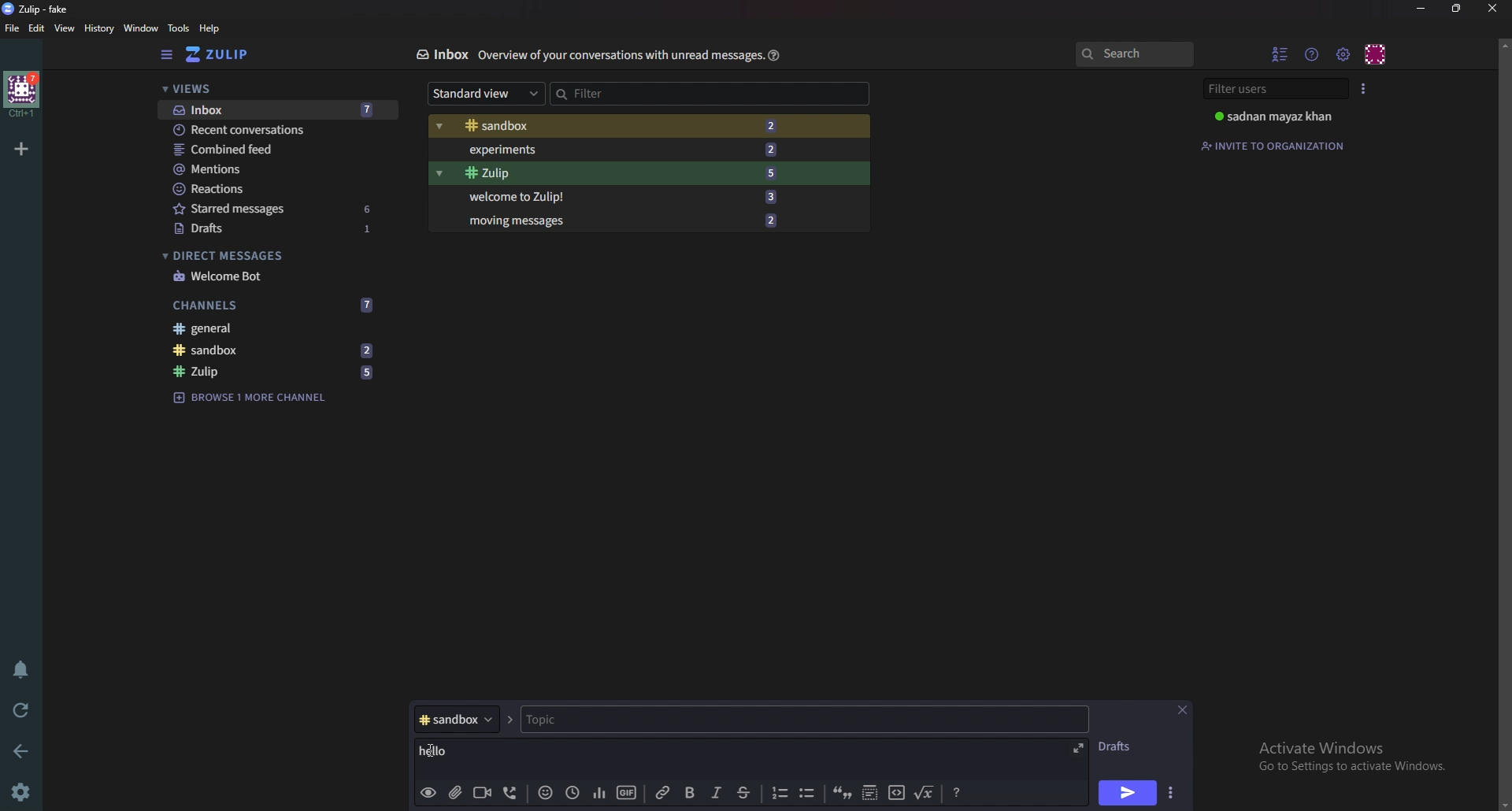 Image resolution: width=1512 pixels, height=811 pixels. I want to click on Add organization, so click(24, 149).